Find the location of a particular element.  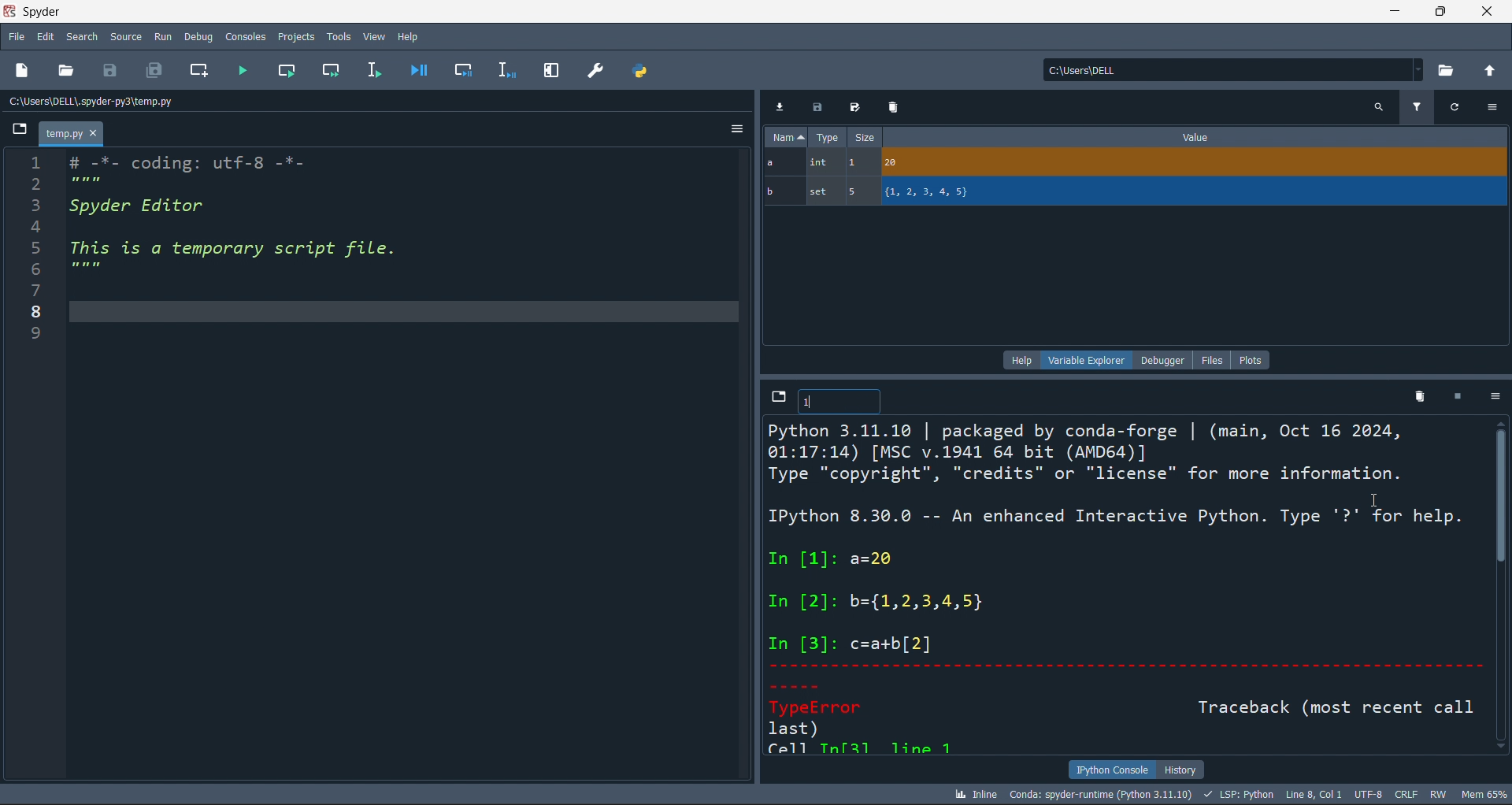

options is located at coordinates (1492, 398).